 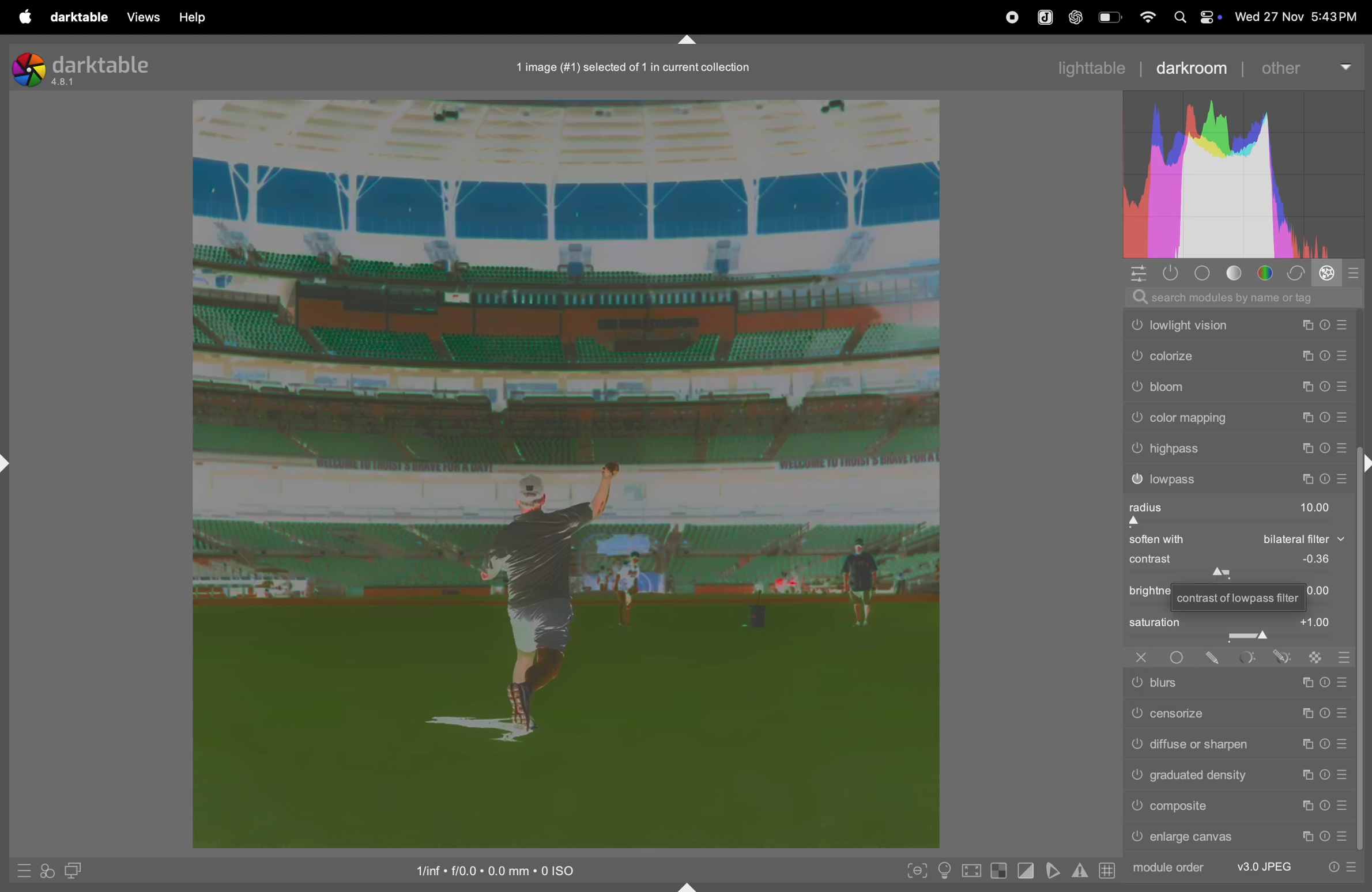 I want to click on effect, so click(x=1326, y=273).